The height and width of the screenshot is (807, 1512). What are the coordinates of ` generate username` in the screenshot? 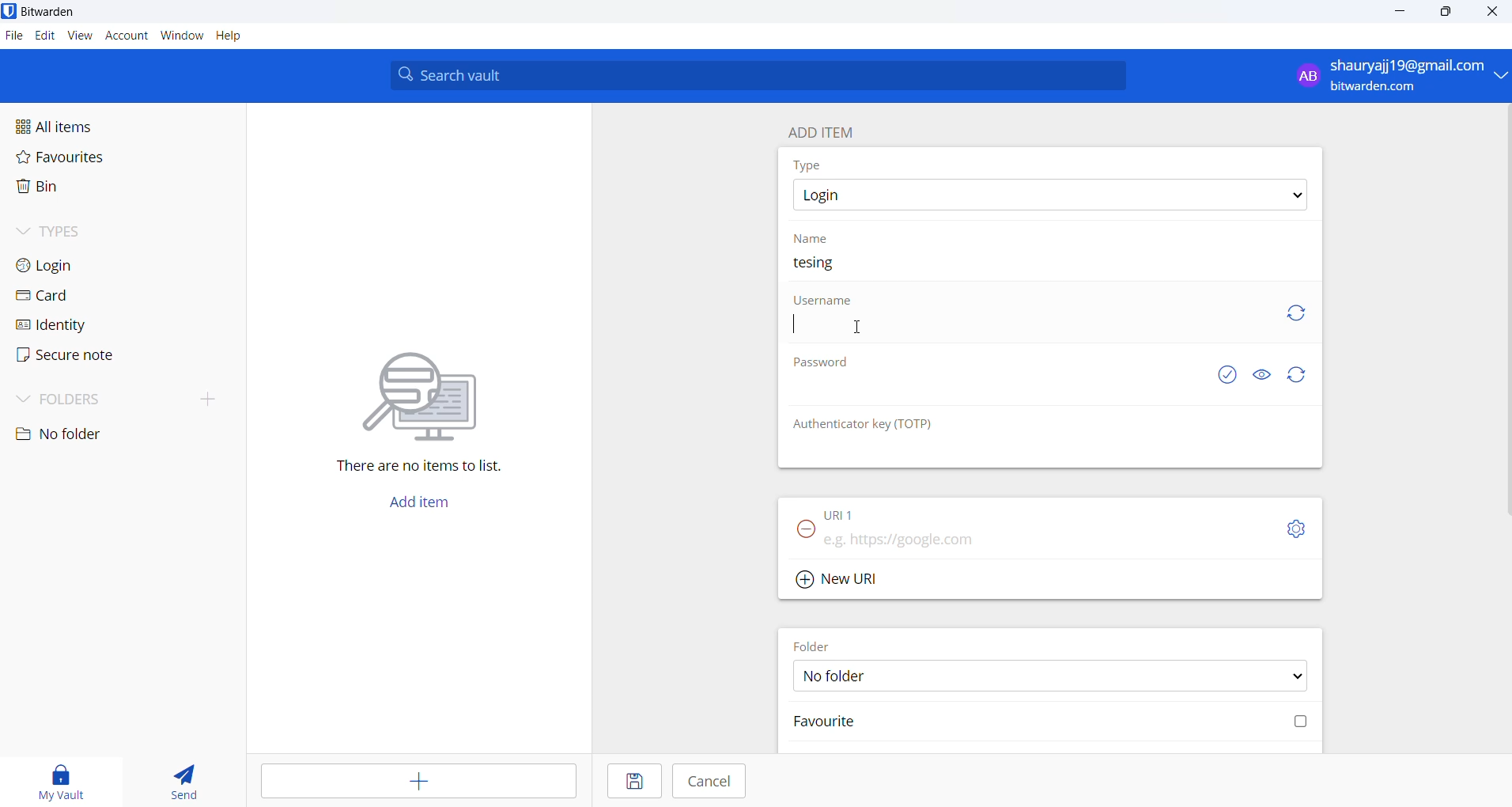 It's located at (1296, 311).